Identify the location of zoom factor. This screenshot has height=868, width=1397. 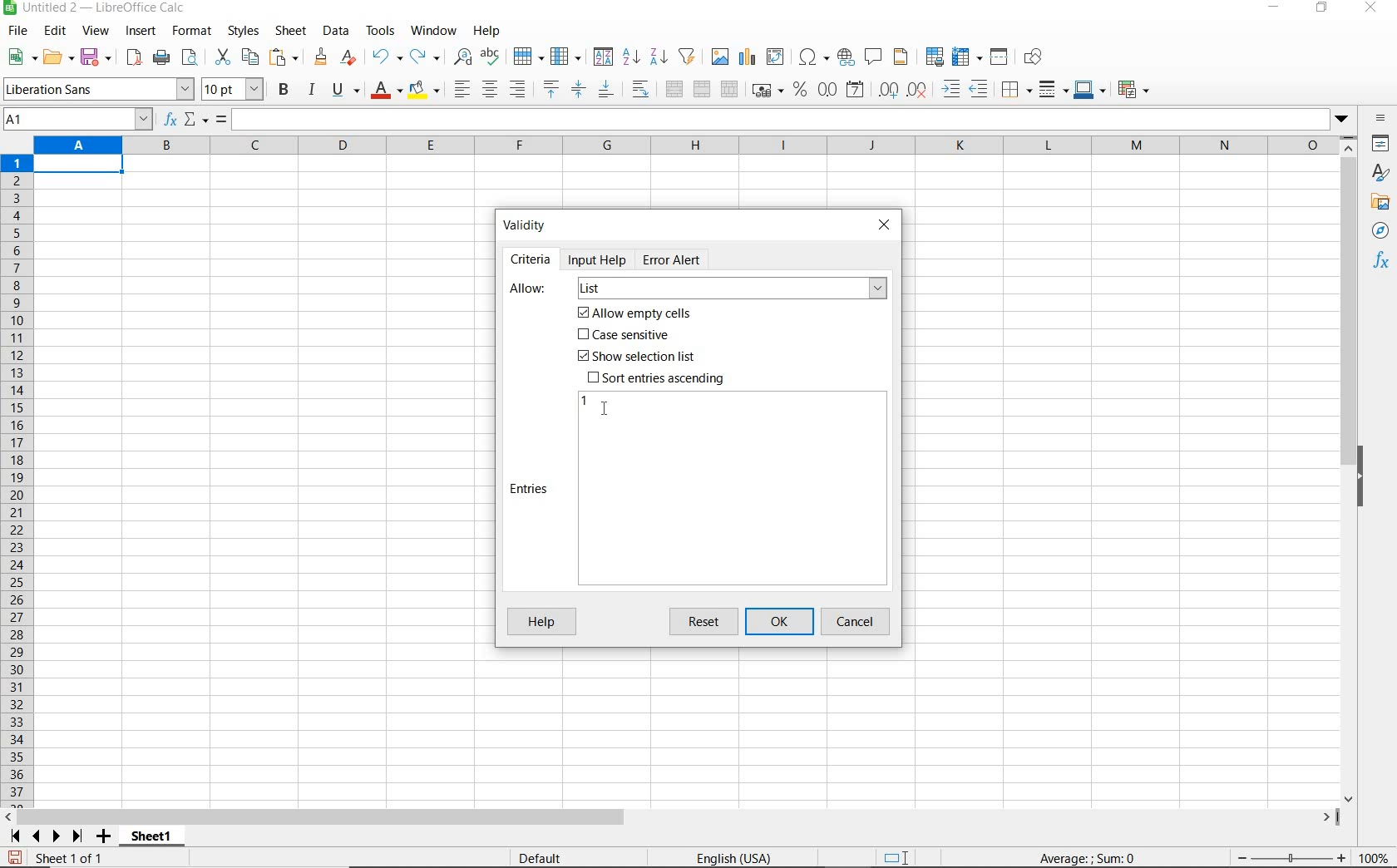
(1375, 857).